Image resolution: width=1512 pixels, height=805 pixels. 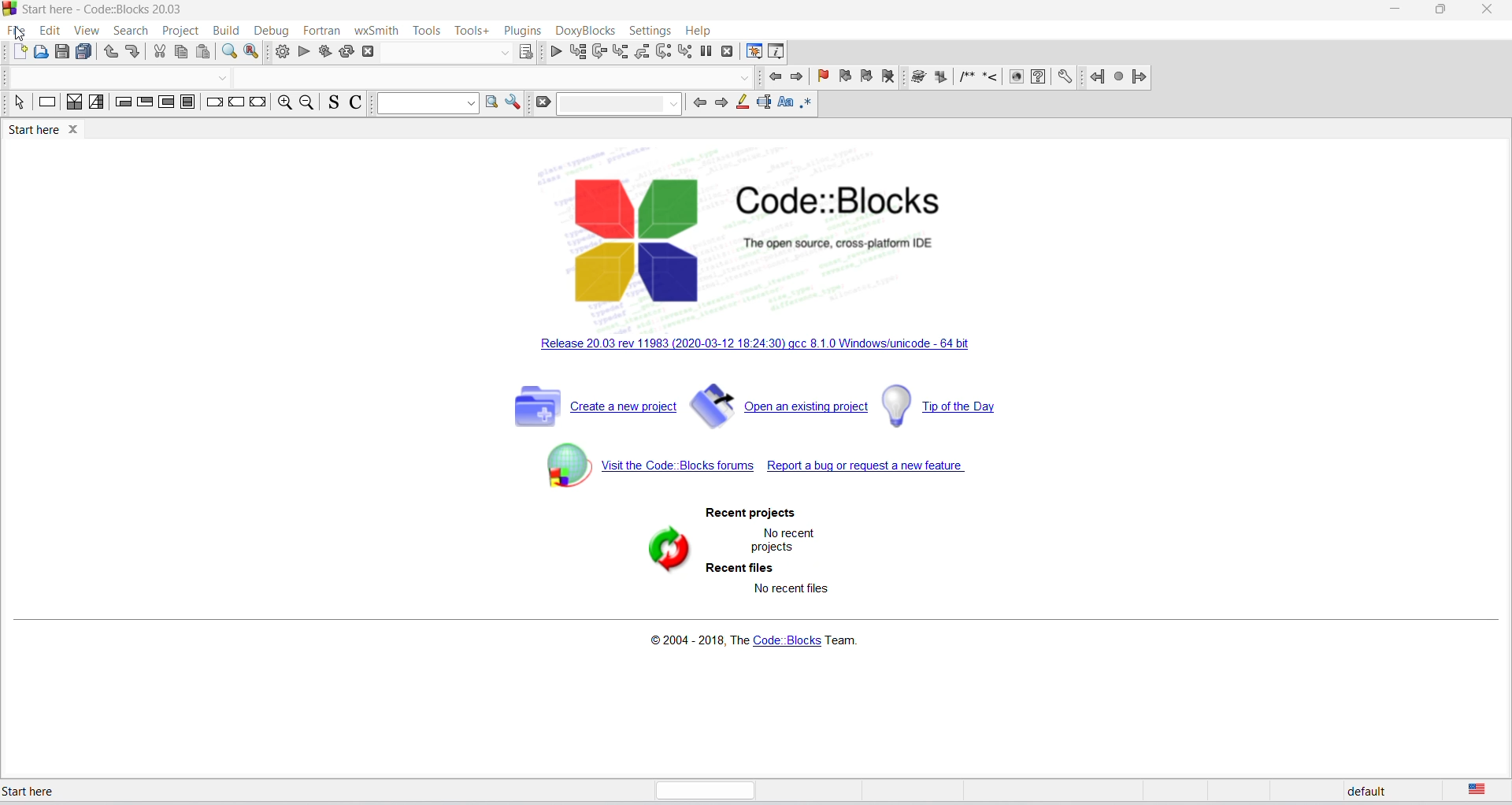 What do you see at coordinates (754, 51) in the screenshot?
I see `debugging window` at bounding box center [754, 51].